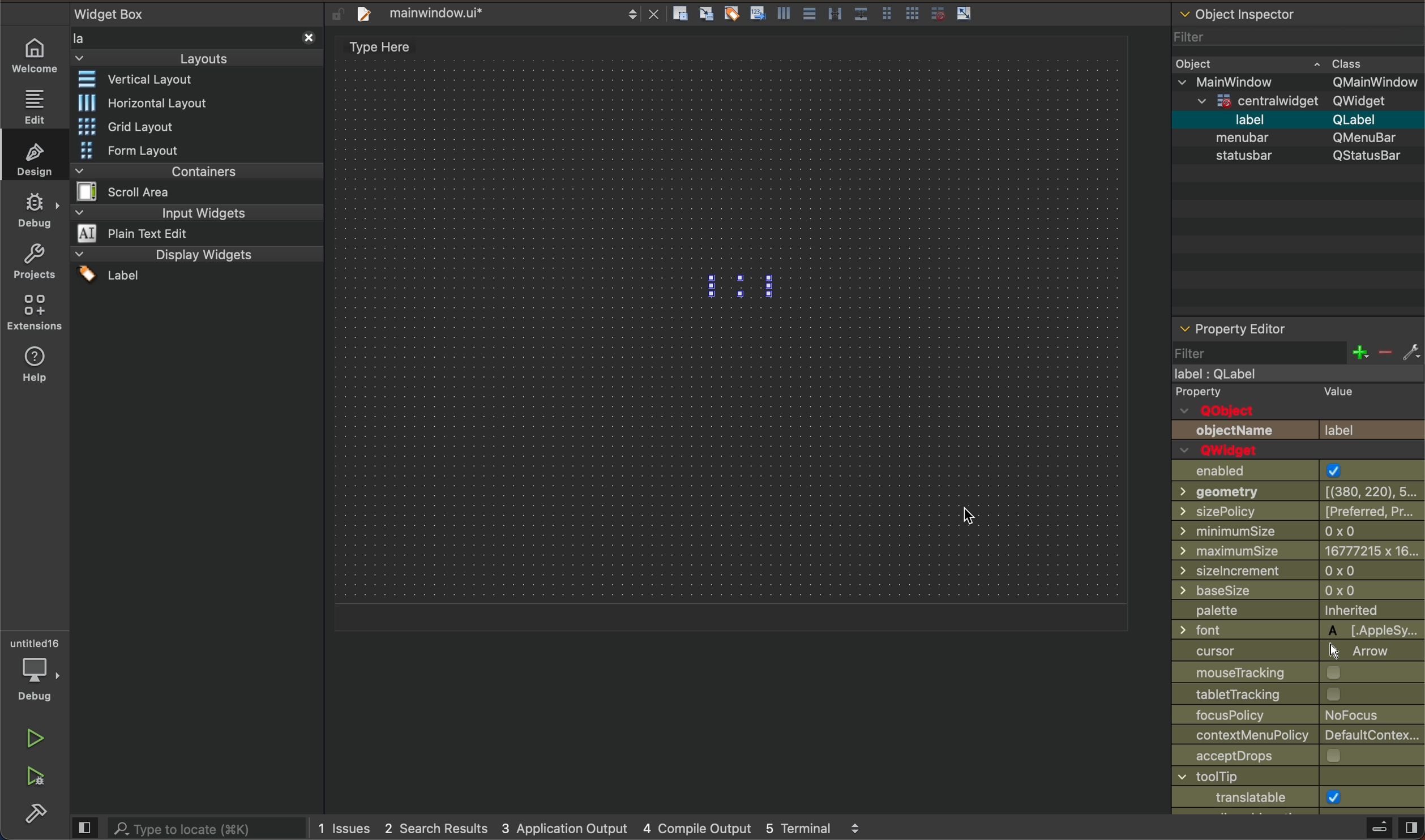 Image resolution: width=1425 pixels, height=840 pixels. Describe the element at coordinates (37, 211) in the screenshot. I see `debug` at that location.